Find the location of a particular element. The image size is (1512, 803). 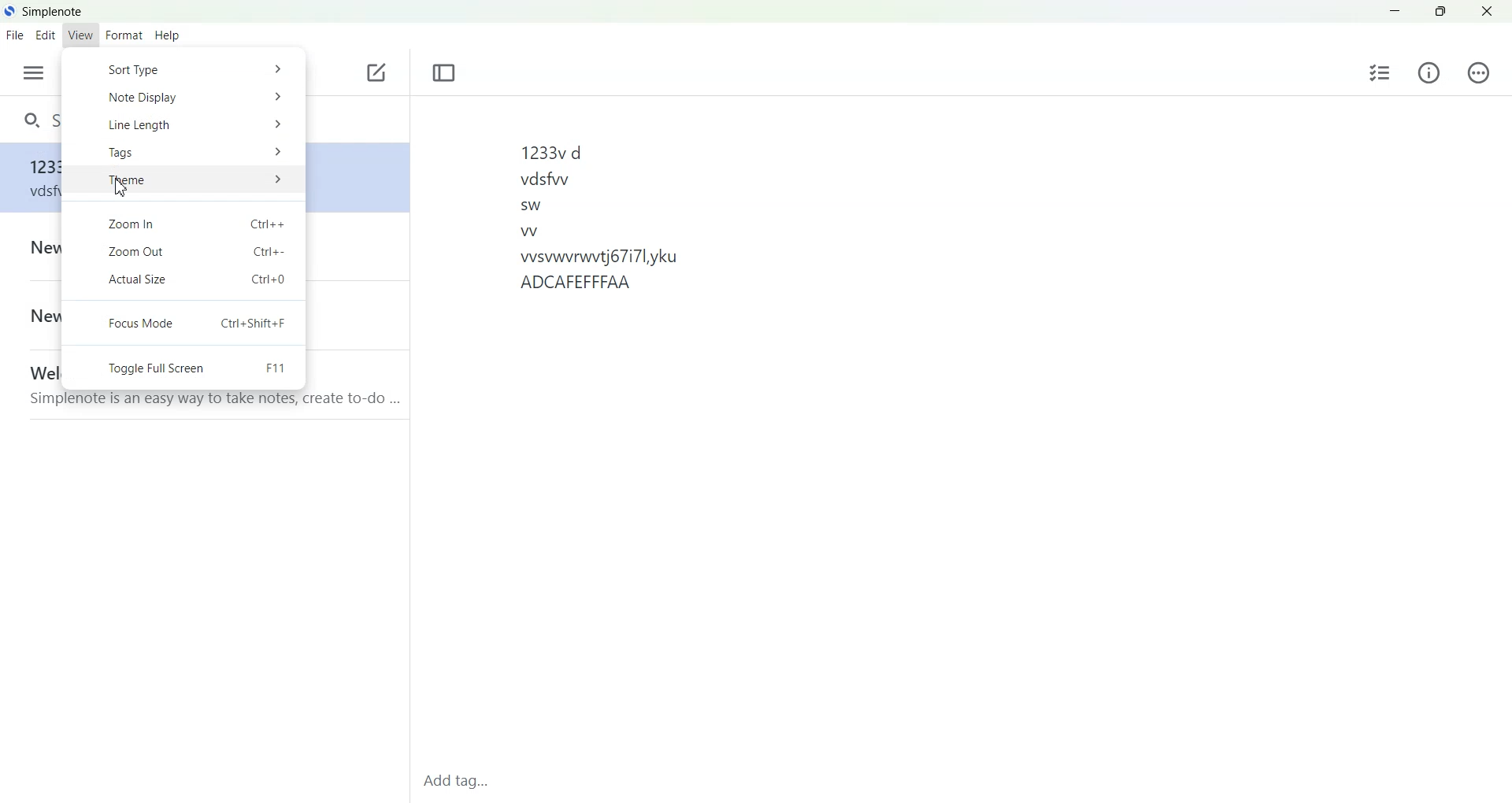

Sort Type is located at coordinates (184, 70).